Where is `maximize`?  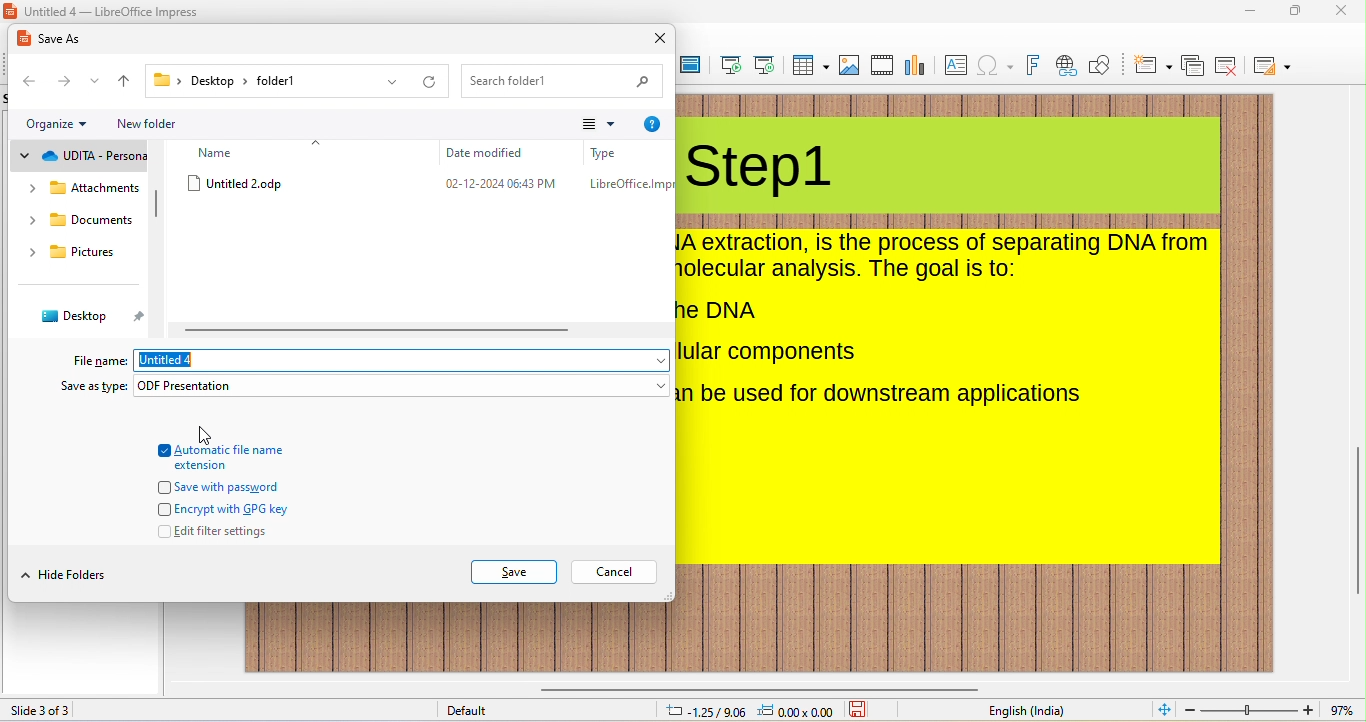 maximize is located at coordinates (1296, 12).